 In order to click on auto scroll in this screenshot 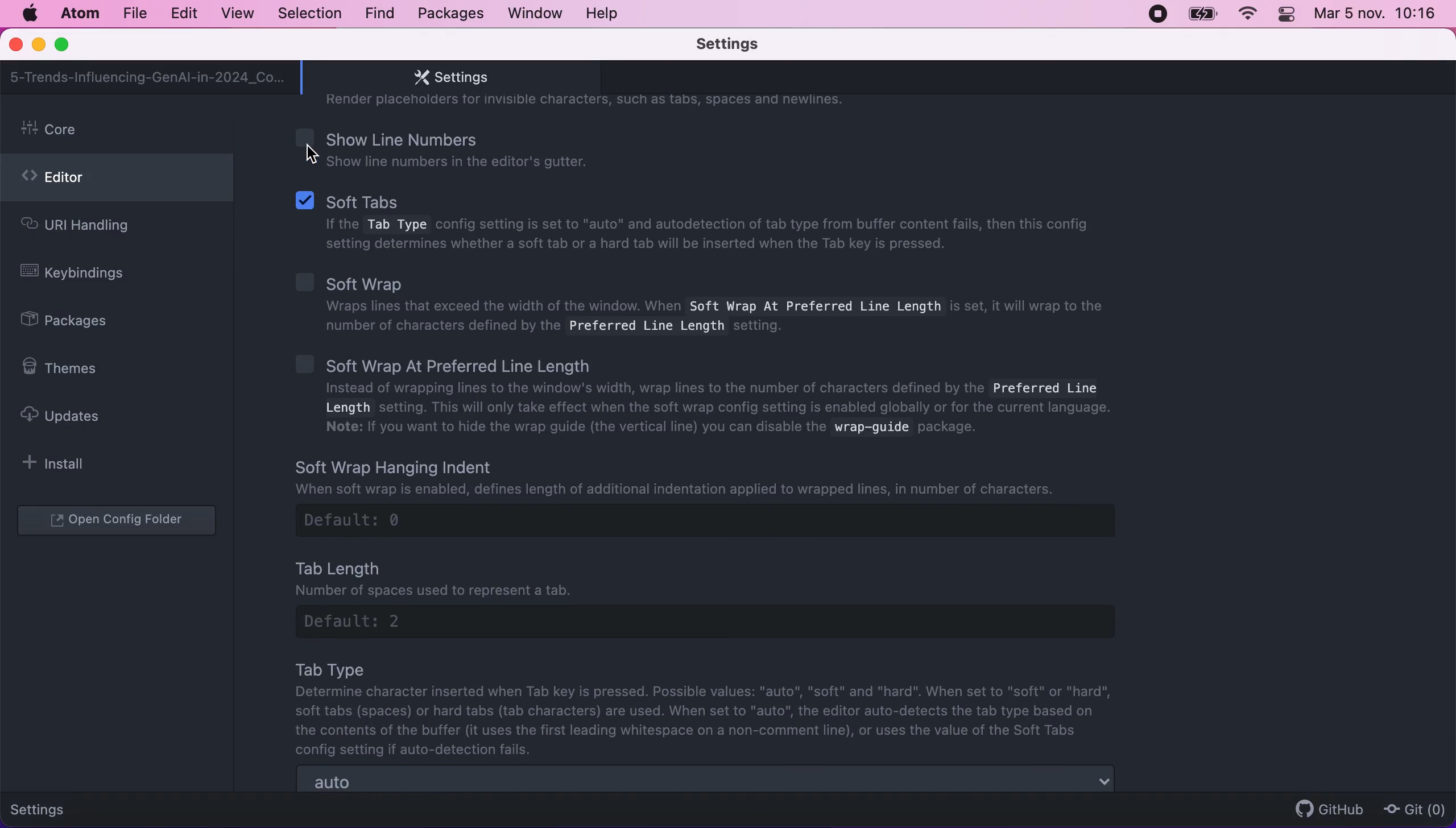, I will do `click(707, 780)`.